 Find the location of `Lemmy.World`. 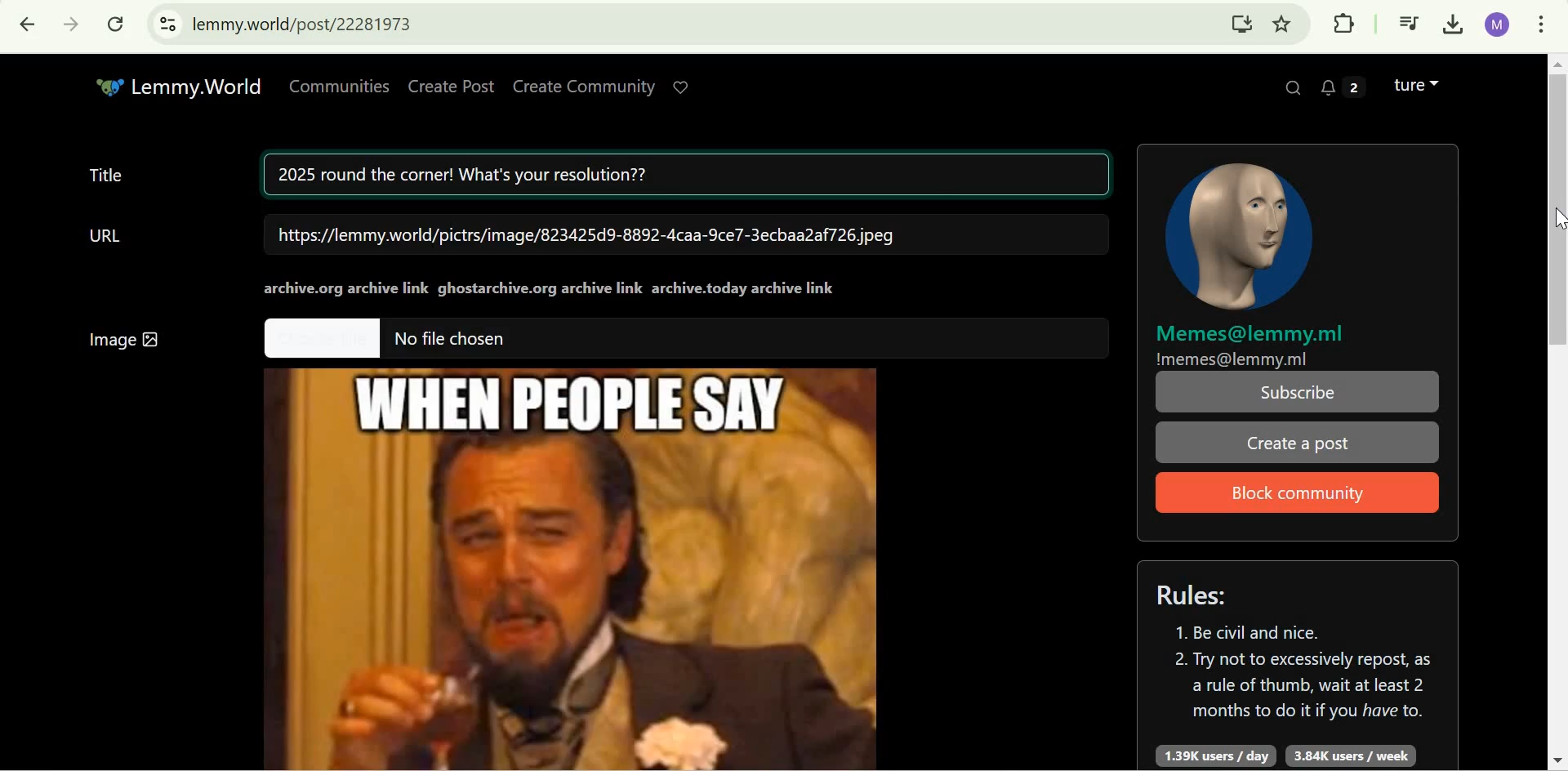

Lemmy.World is located at coordinates (196, 87).